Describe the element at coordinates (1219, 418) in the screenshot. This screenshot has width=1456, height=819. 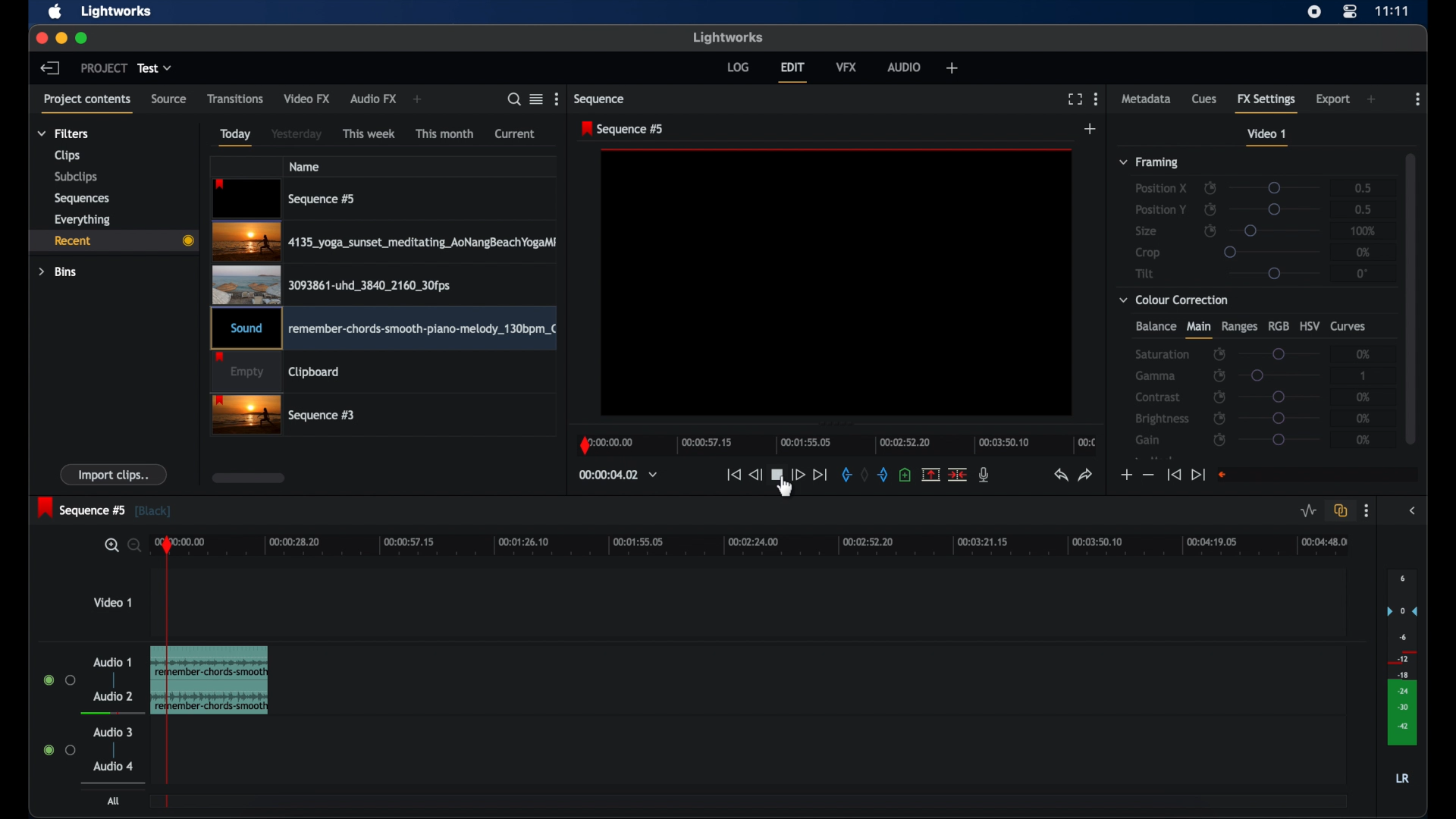
I see `enable/disable keyframes` at that location.